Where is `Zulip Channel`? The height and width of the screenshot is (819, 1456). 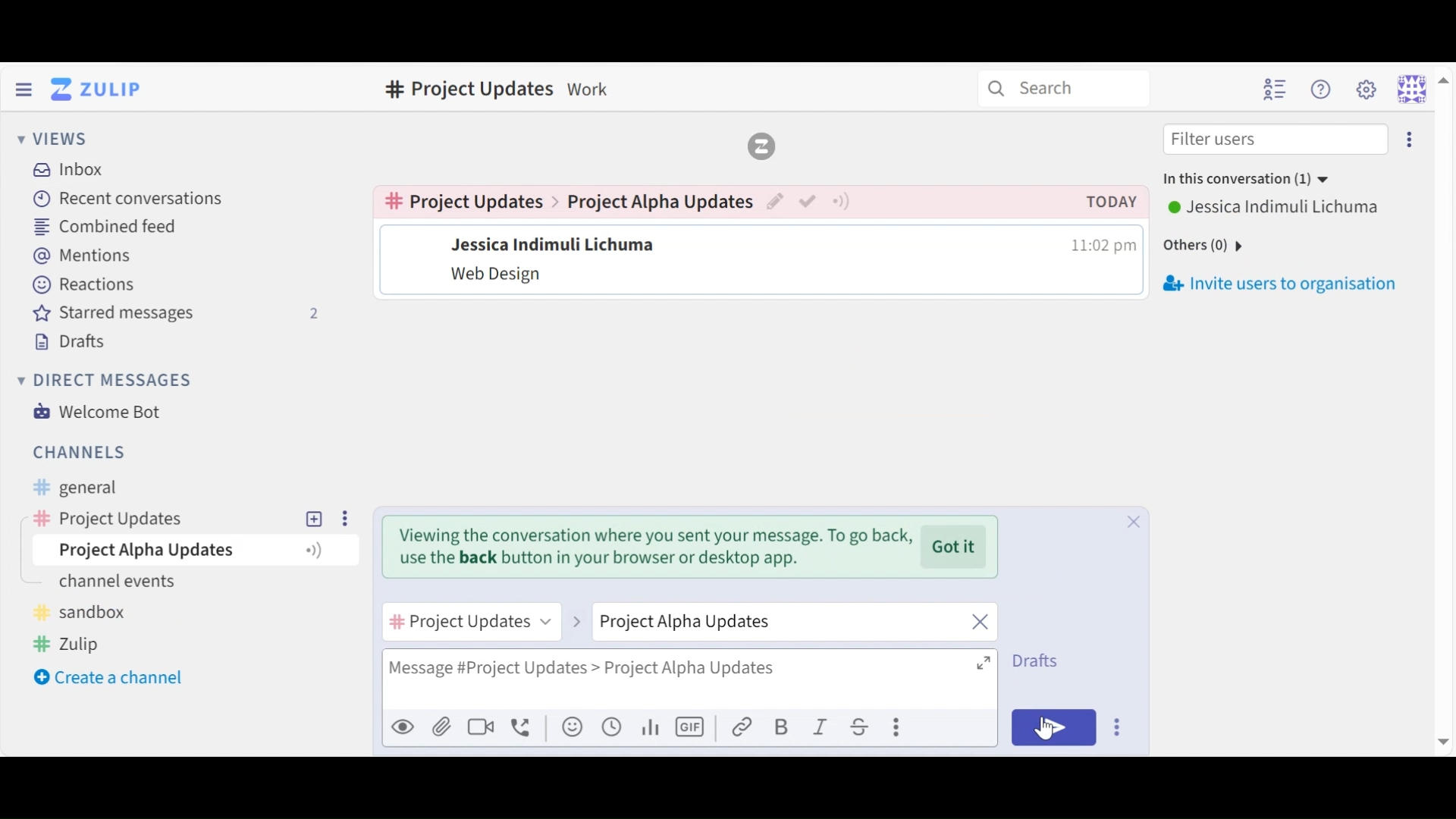
Zulip Channel is located at coordinates (79, 643).